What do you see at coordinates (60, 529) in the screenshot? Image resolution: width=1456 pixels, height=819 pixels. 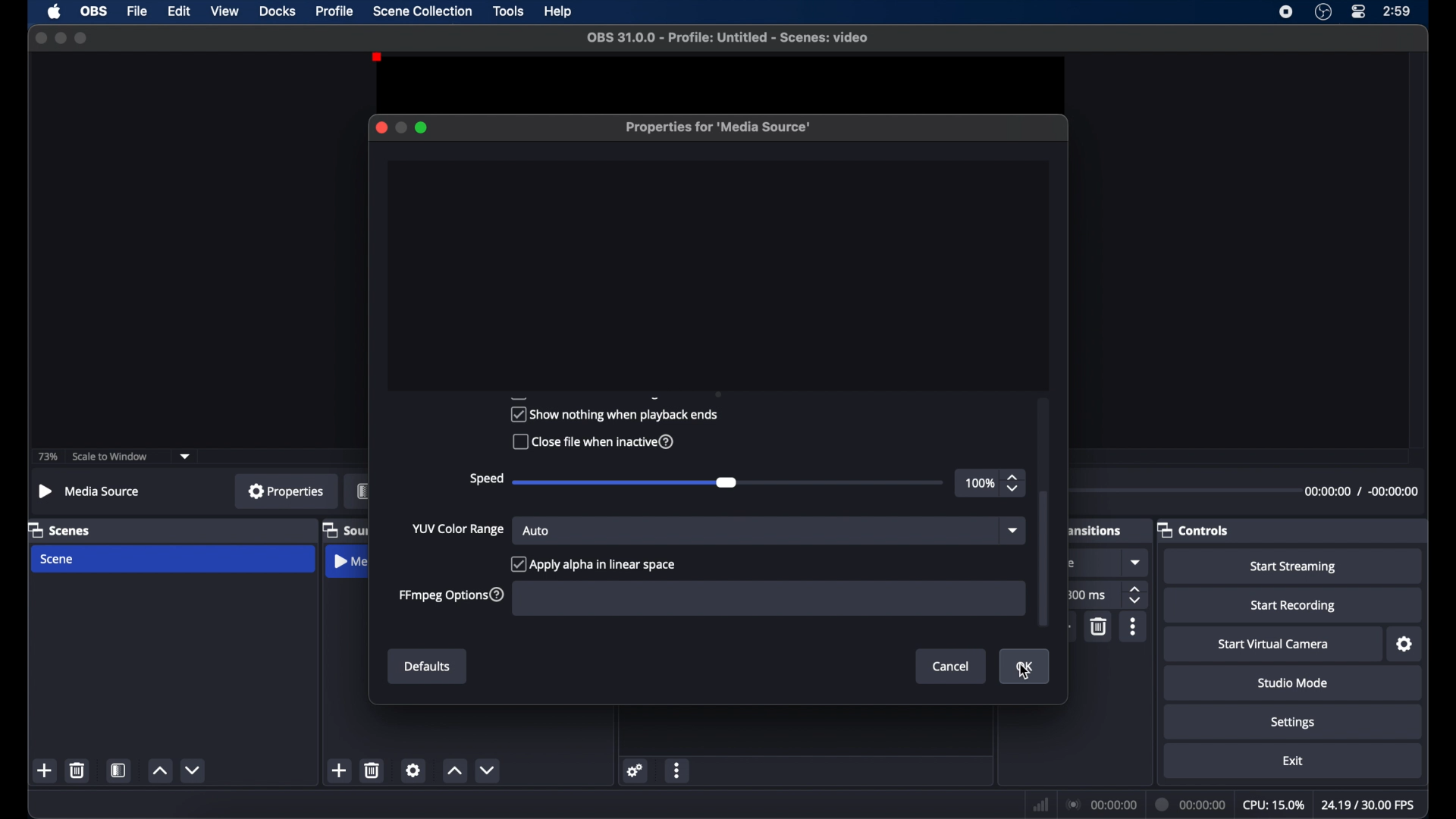 I see `scenes` at bounding box center [60, 529].